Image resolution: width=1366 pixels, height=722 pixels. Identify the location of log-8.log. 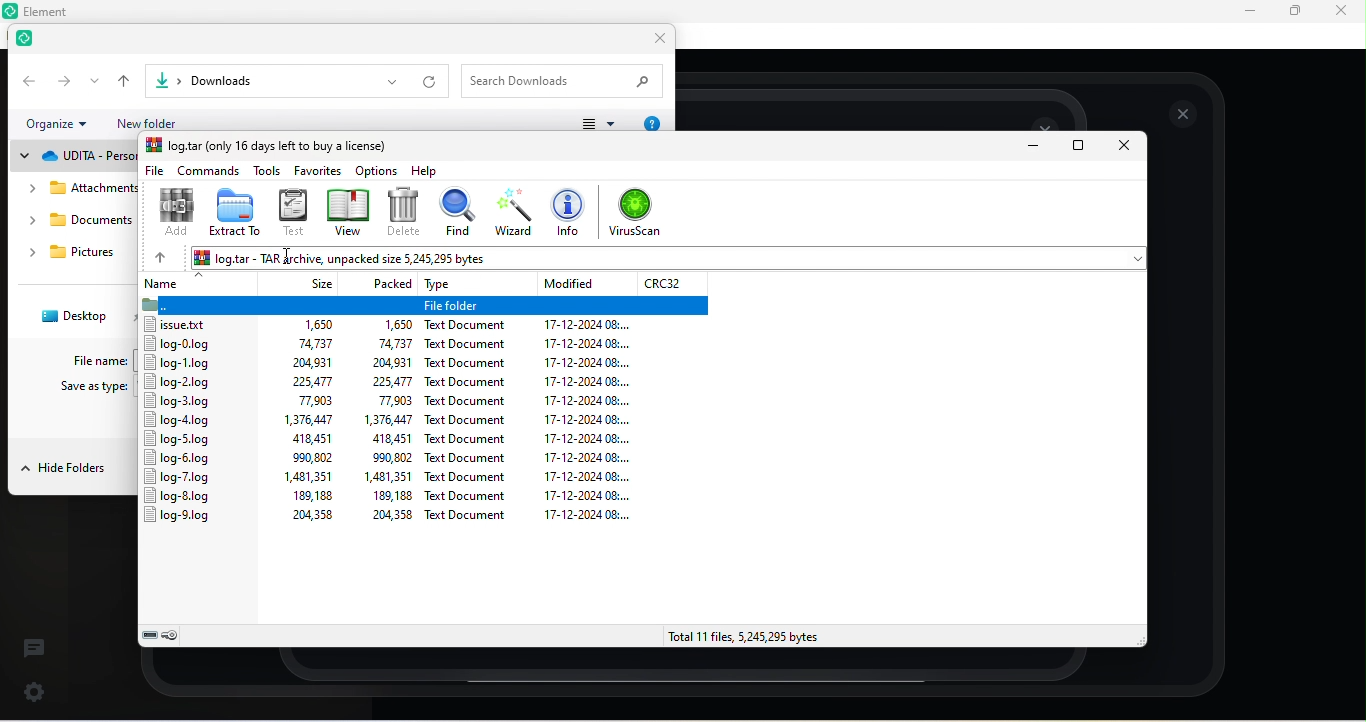
(188, 496).